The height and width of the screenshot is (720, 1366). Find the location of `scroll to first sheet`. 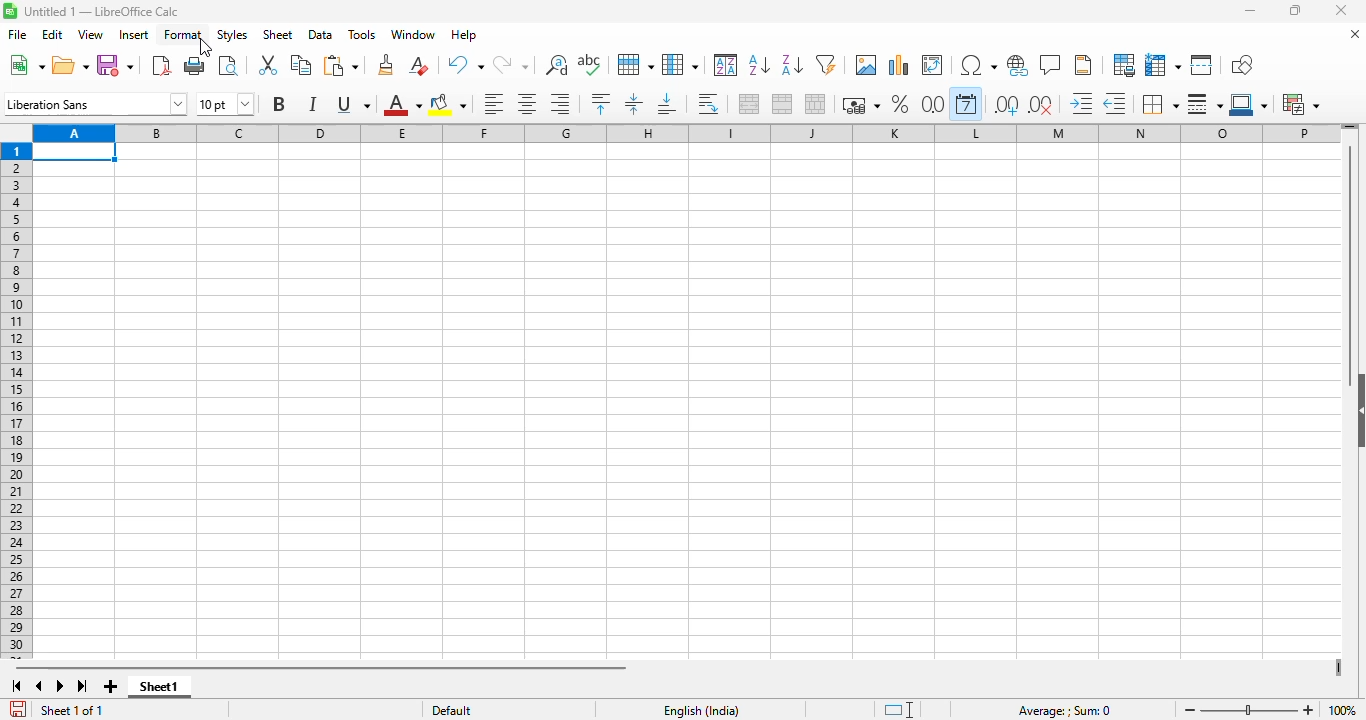

scroll to first sheet is located at coordinates (16, 687).